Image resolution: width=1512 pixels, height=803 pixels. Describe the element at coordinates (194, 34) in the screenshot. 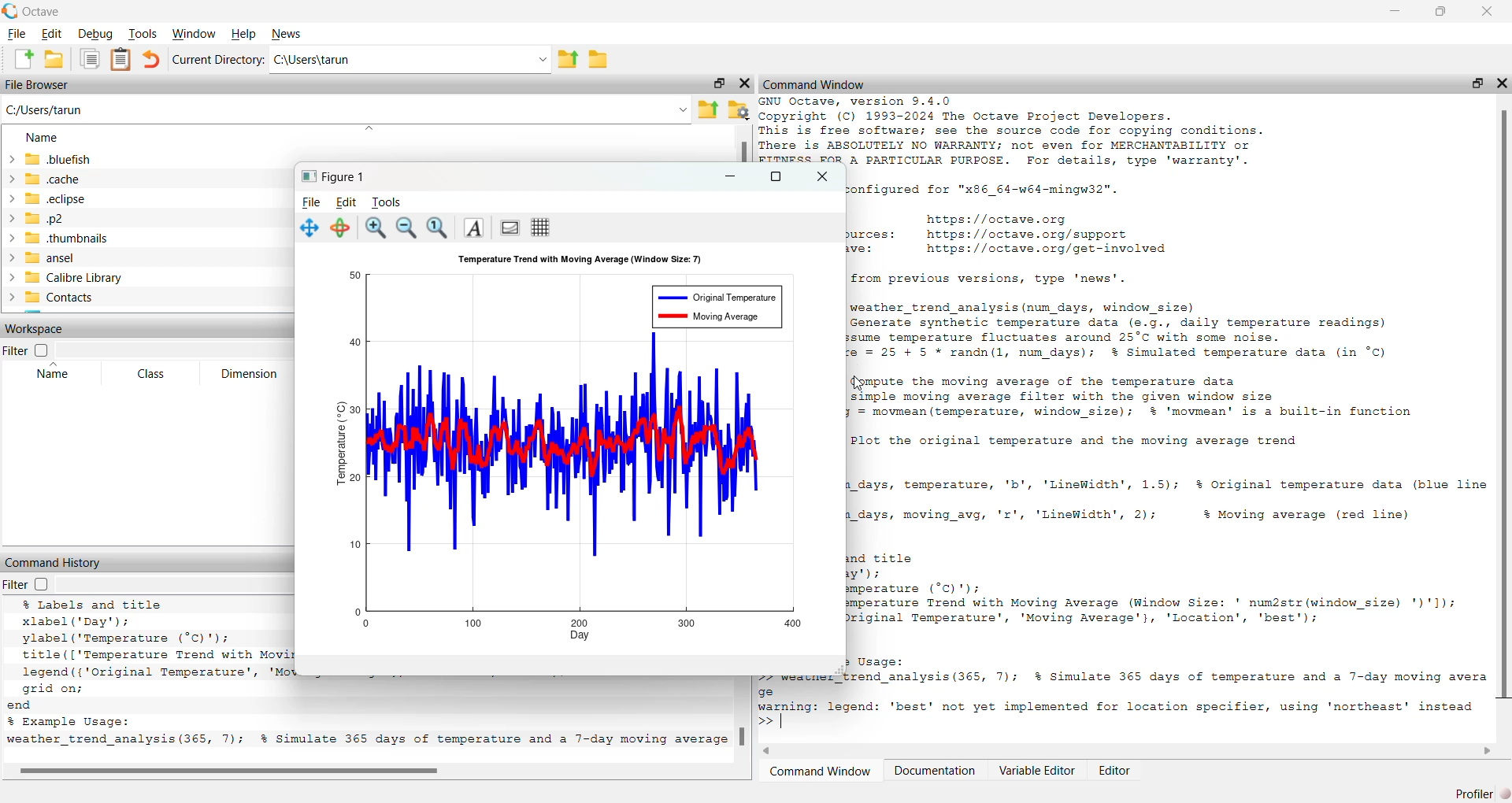

I see `Windows` at that location.